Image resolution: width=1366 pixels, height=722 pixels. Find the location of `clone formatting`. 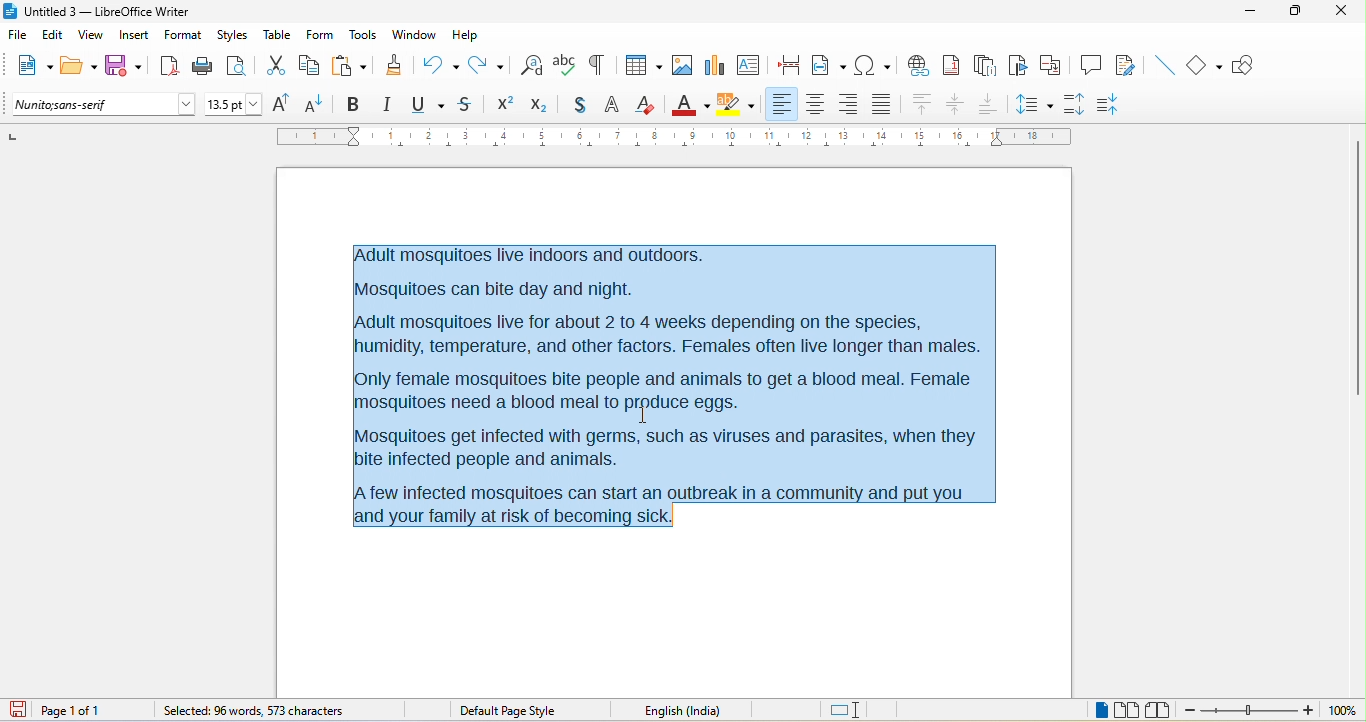

clone formatting is located at coordinates (397, 67).